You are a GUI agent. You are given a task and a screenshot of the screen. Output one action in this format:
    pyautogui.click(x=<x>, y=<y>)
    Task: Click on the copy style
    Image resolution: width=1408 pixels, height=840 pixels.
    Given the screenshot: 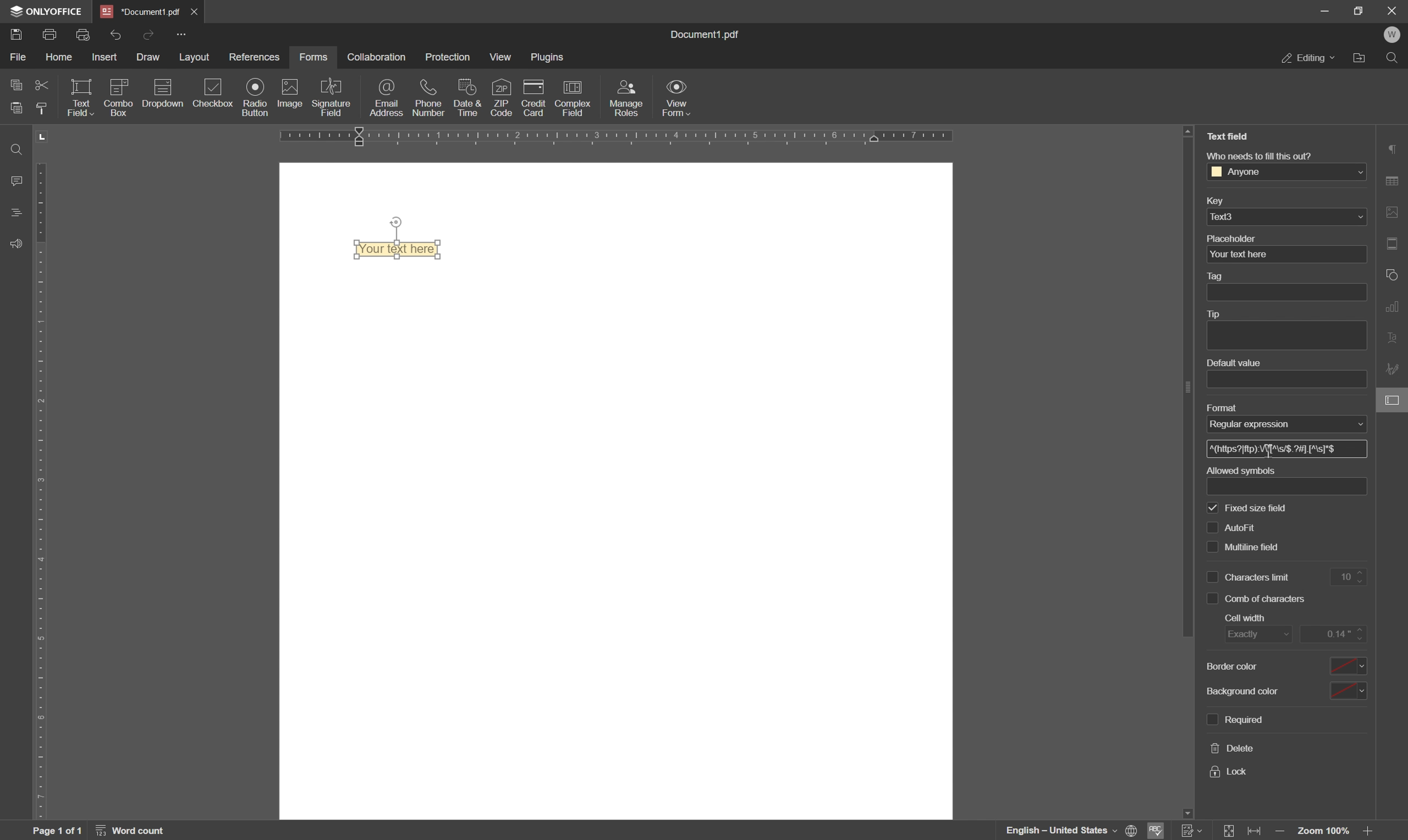 What is the action you would take?
    pyautogui.click(x=45, y=108)
    